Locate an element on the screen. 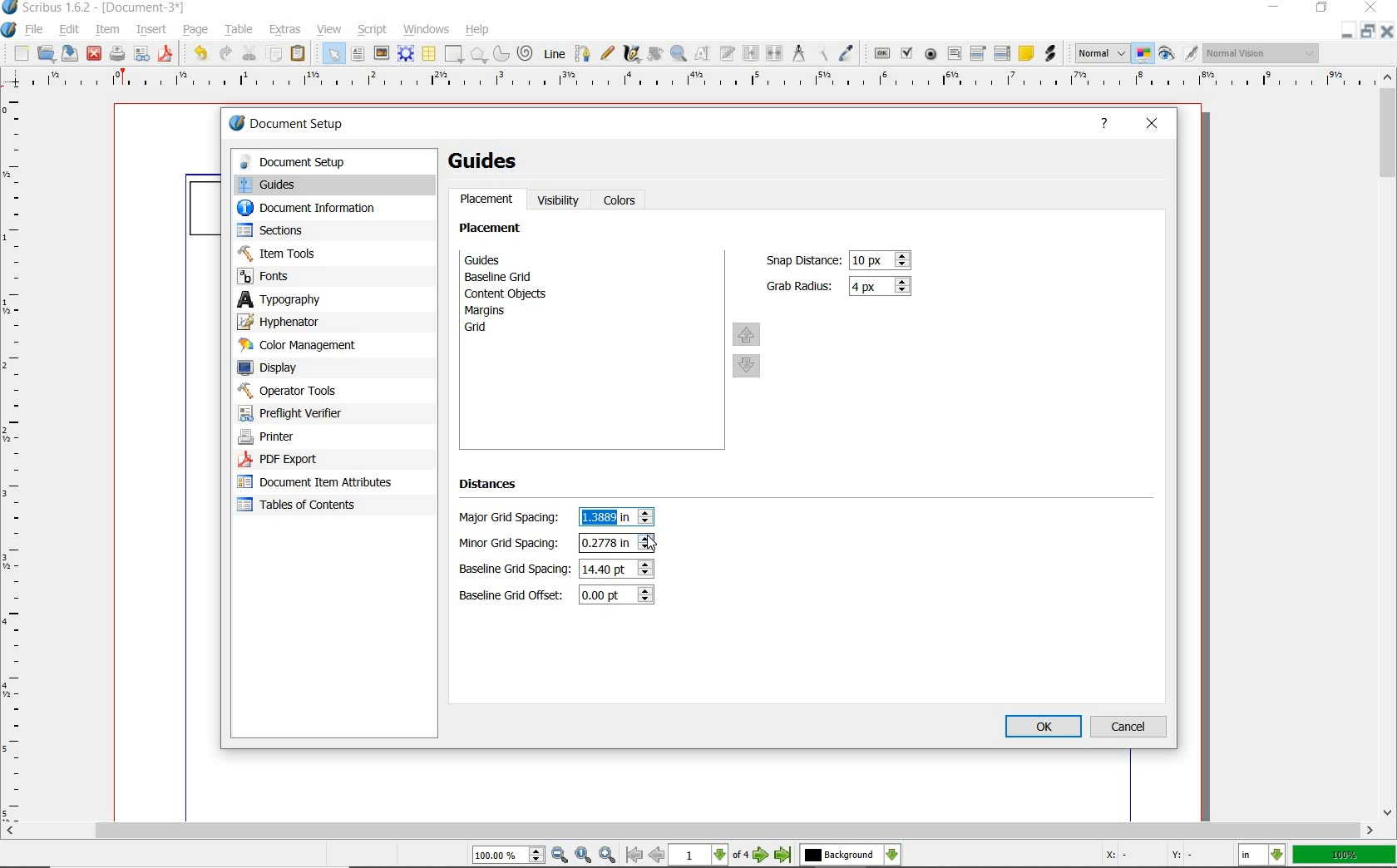  save as pdf is located at coordinates (164, 54).